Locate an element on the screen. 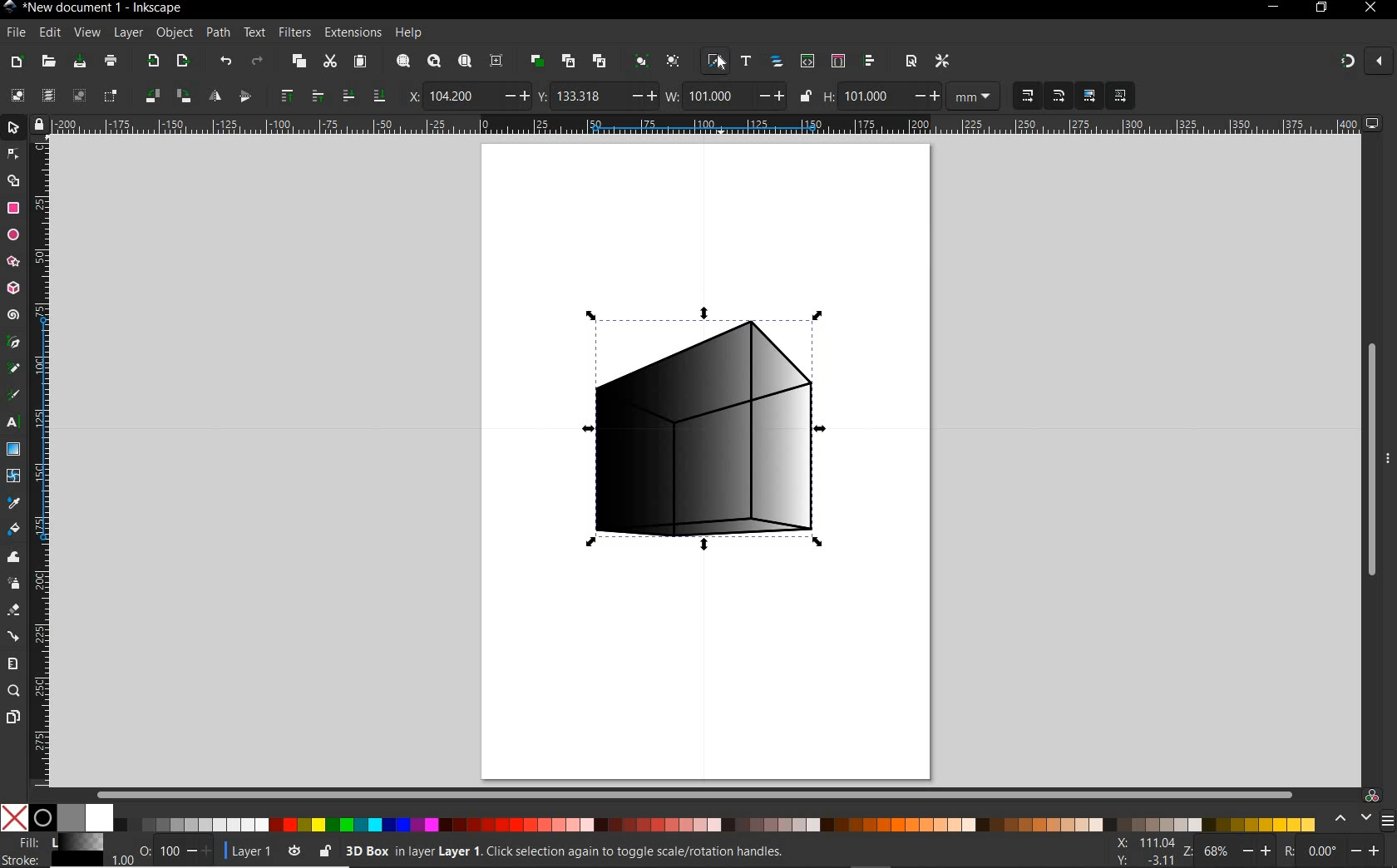  OPEN FILL AND STROKE is located at coordinates (714, 62).